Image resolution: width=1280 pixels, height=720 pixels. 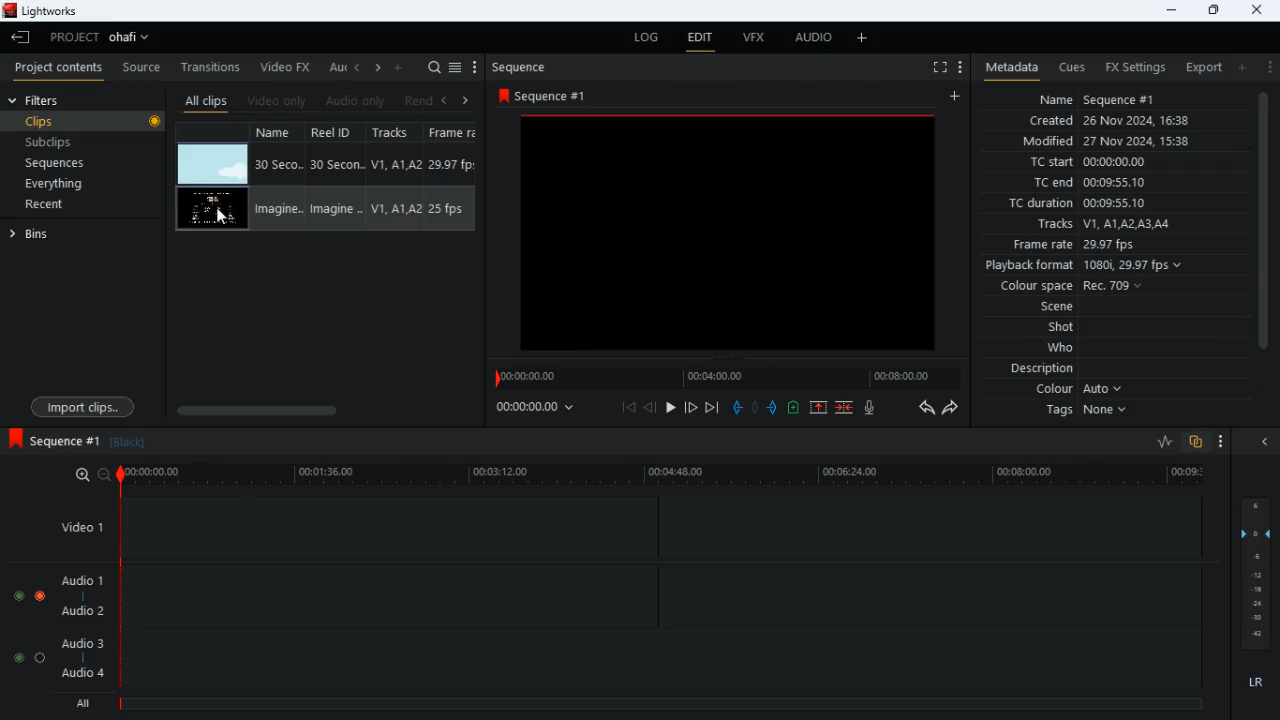 What do you see at coordinates (700, 37) in the screenshot?
I see `edit` at bounding box center [700, 37].